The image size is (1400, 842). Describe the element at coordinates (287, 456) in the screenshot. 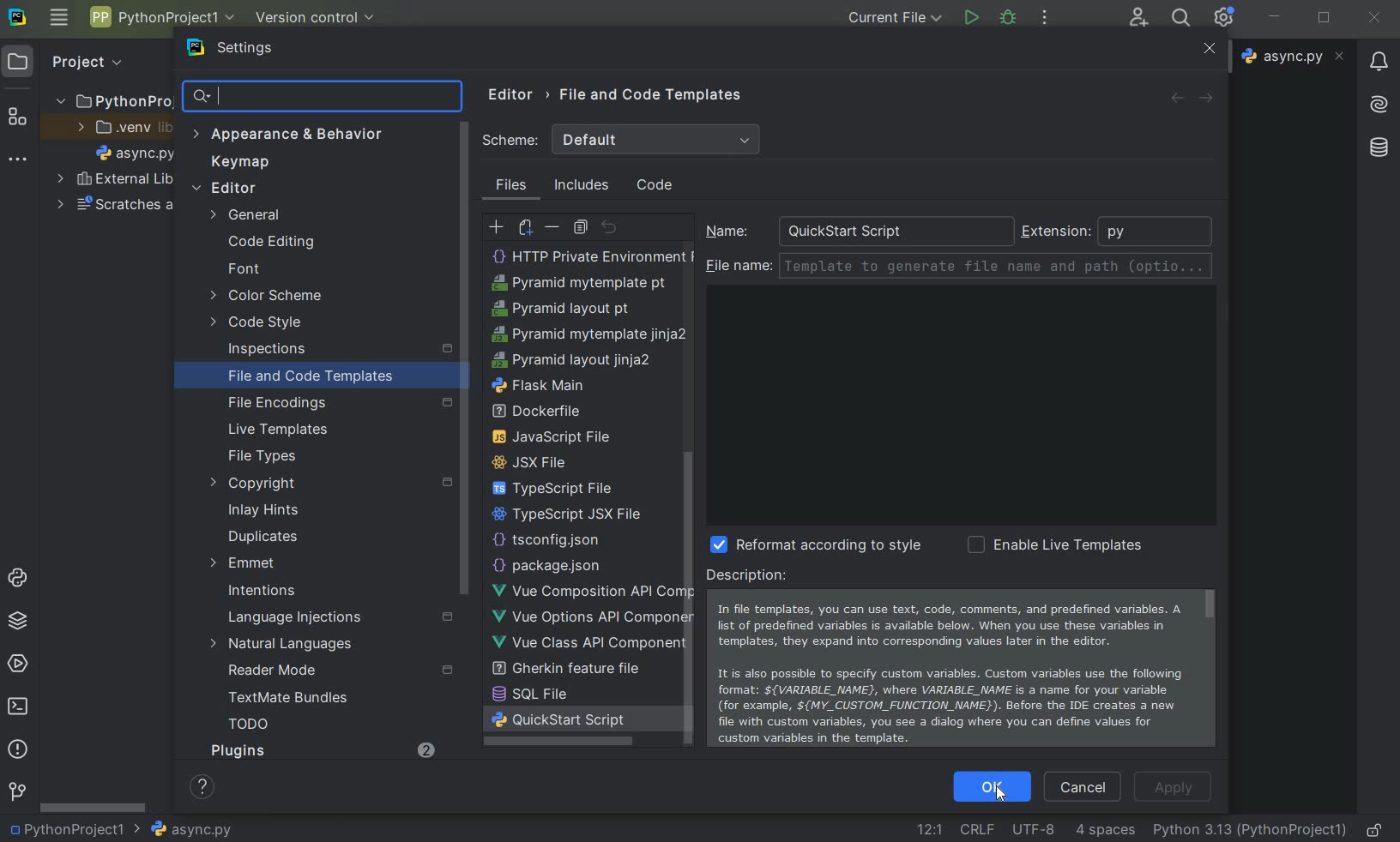

I see `file types` at that location.